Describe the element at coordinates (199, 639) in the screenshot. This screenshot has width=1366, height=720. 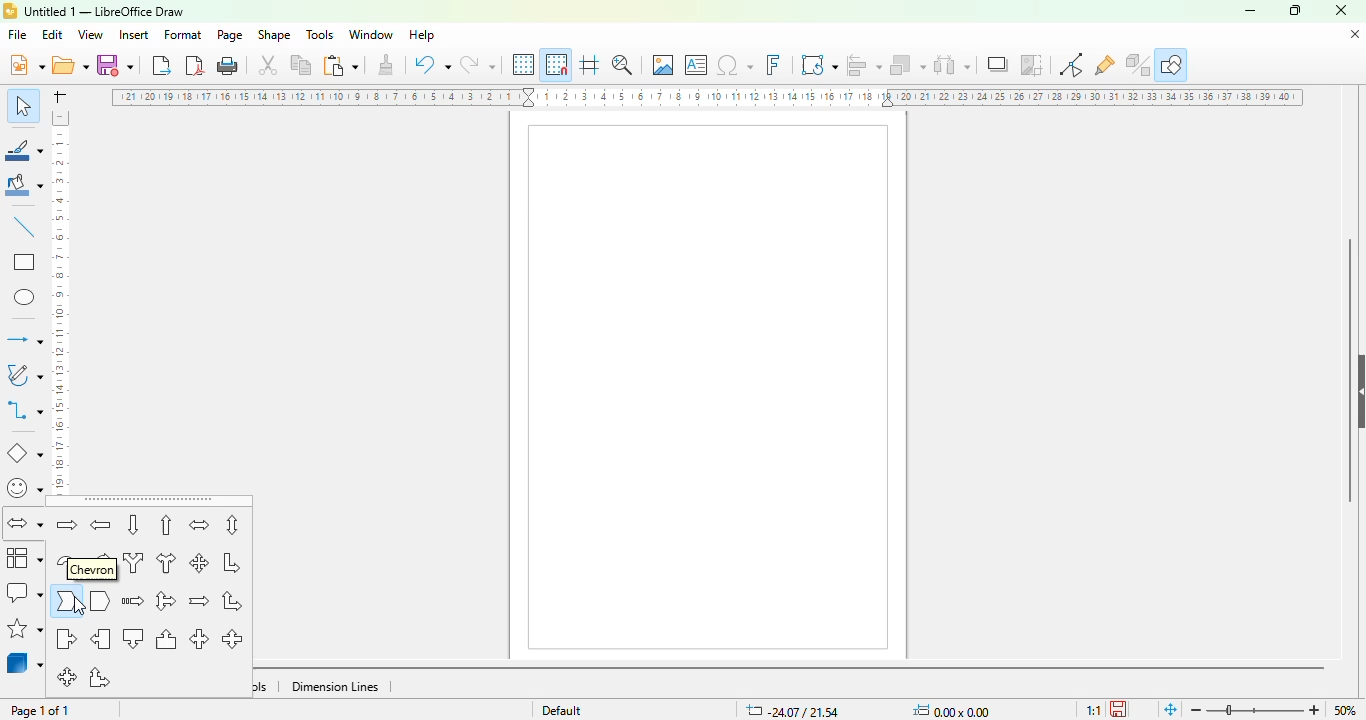
I see `left and right arrow callout` at that location.